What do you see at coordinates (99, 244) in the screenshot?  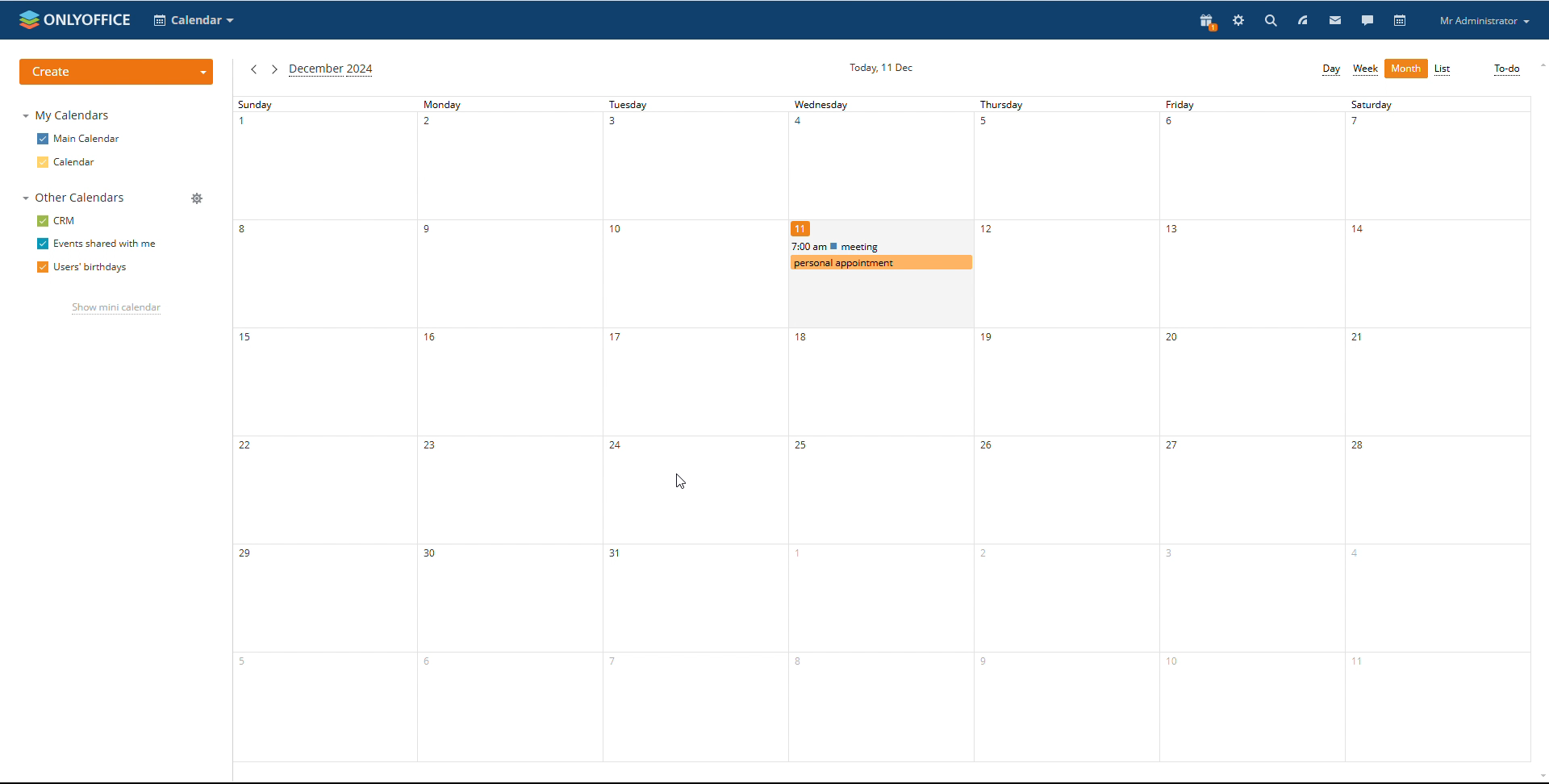 I see `events shared with me` at bounding box center [99, 244].